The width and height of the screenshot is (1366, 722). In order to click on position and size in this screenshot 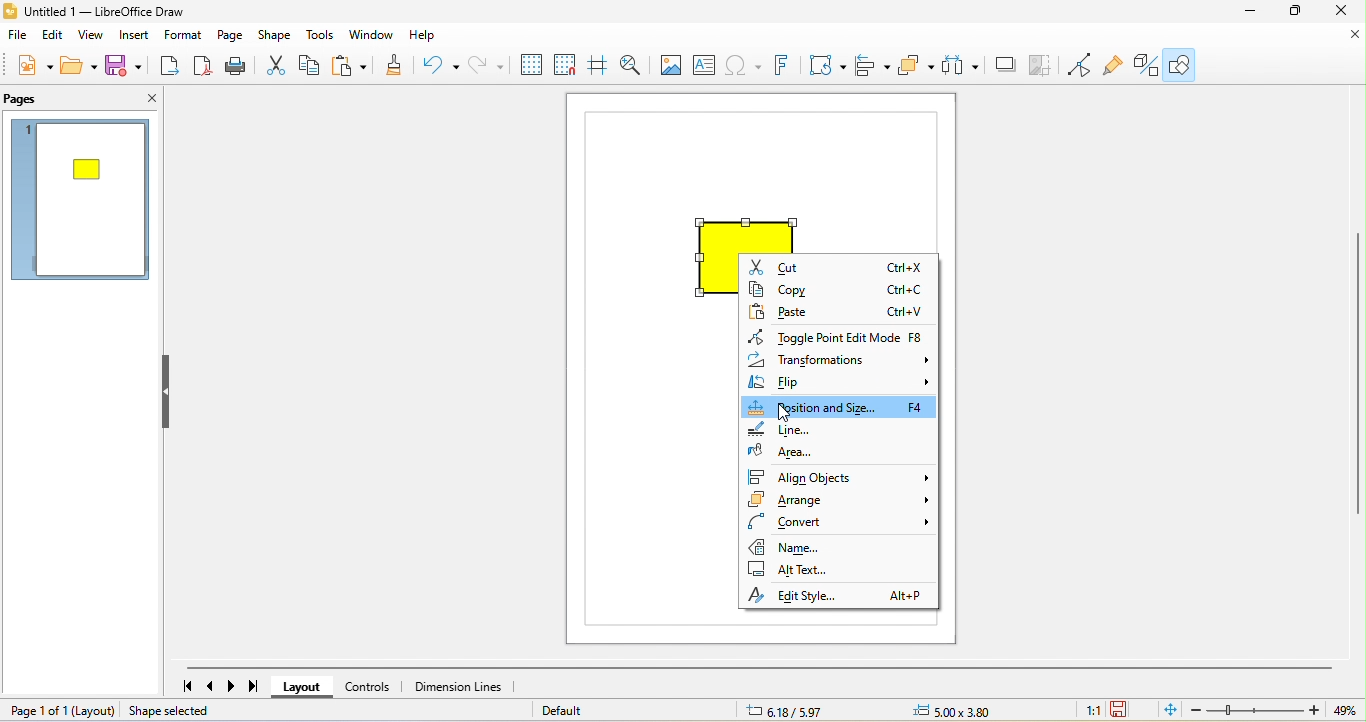, I will do `click(842, 409)`.